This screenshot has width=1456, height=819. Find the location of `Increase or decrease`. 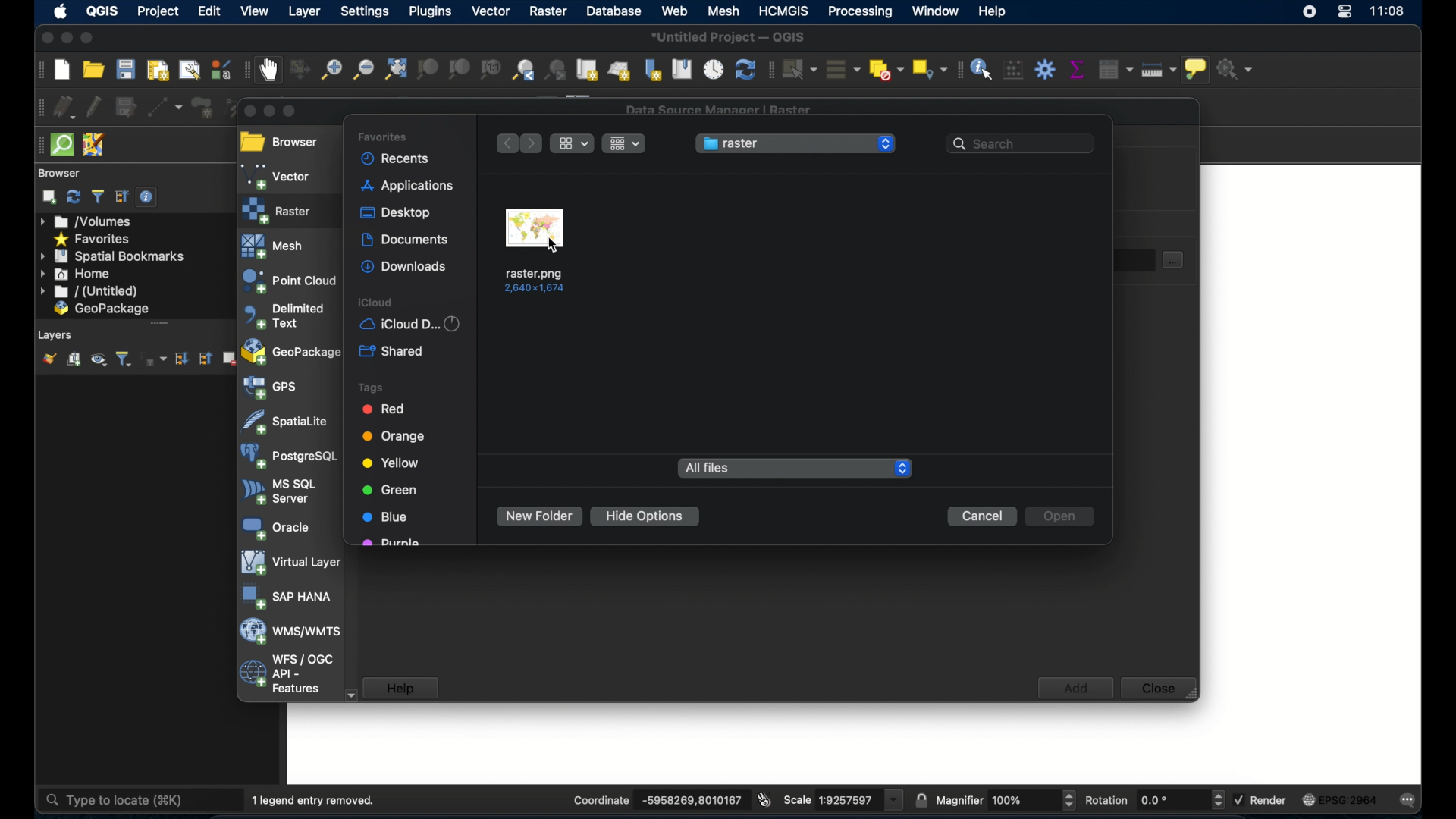

Increase or decrease is located at coordinates (1068, 800).